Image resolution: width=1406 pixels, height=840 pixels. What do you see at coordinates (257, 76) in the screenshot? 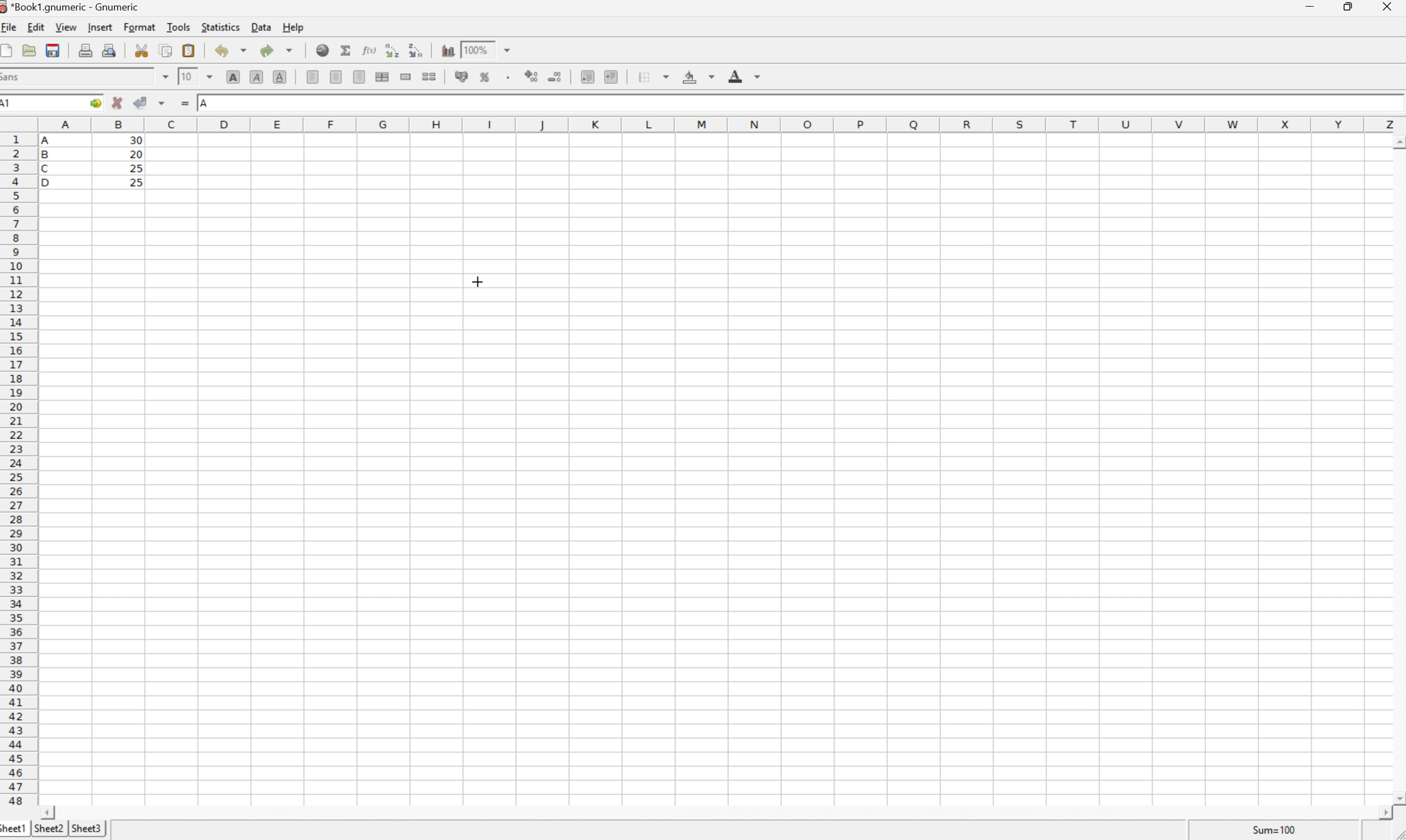
I see `Italic` at bounding box center [257, 76].